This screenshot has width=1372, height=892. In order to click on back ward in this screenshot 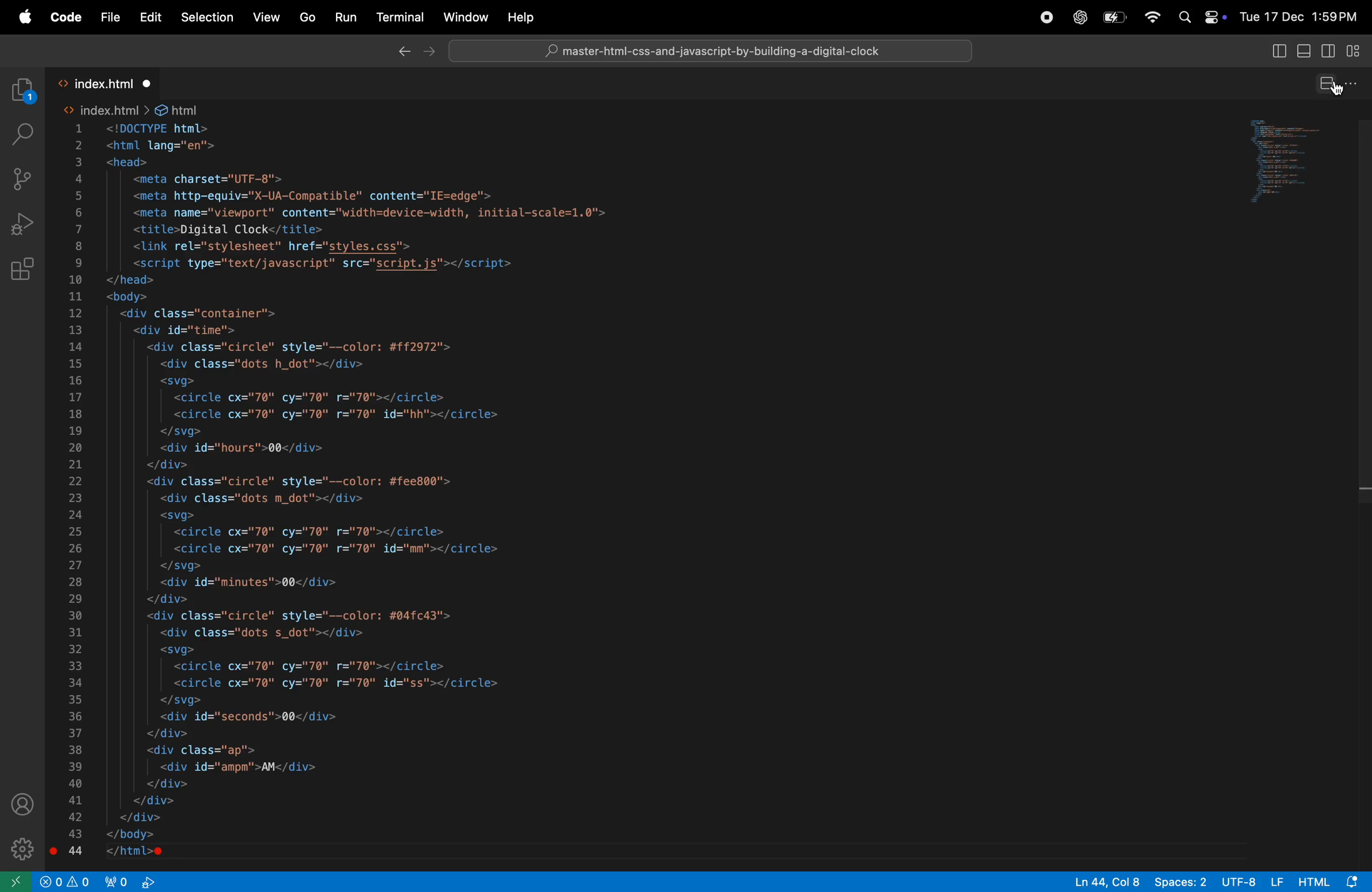, I will do `click(404, 54)`.